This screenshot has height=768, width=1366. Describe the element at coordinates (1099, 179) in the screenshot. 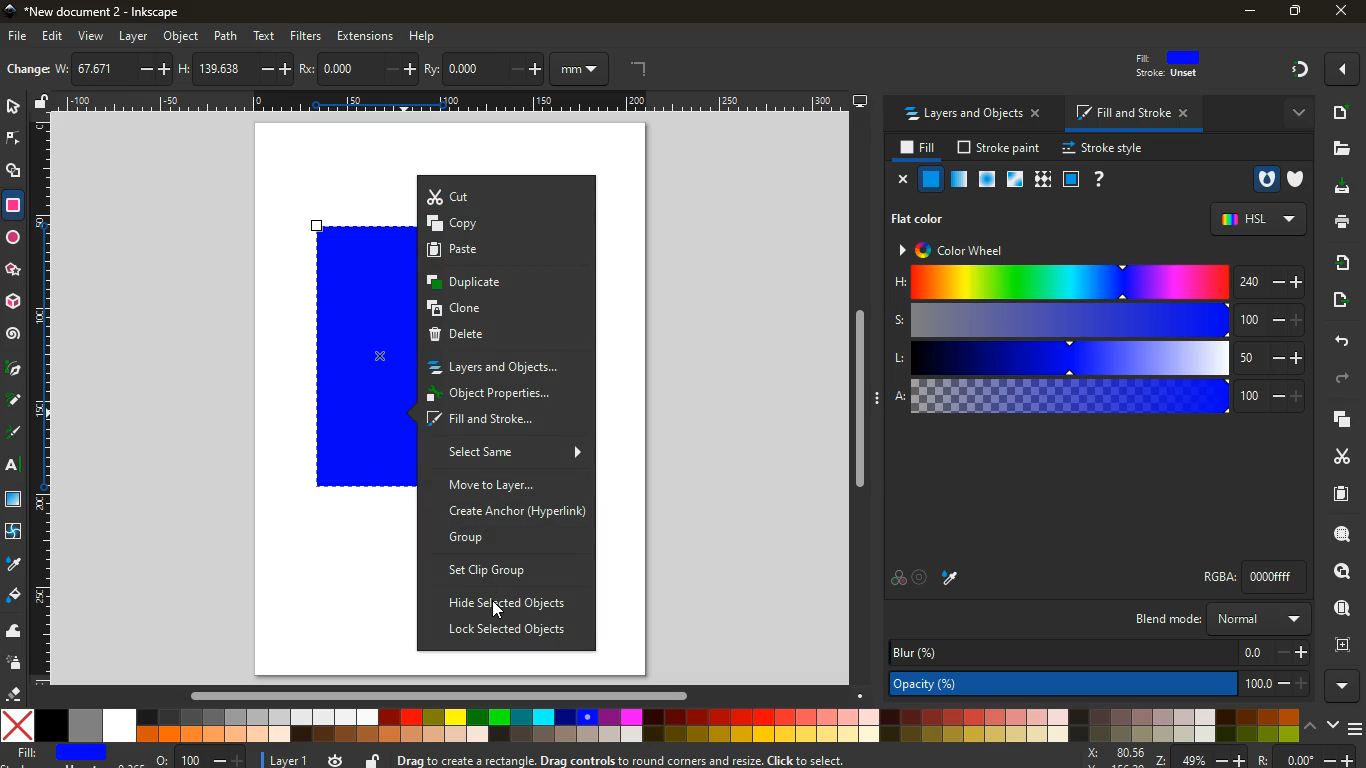

I see `help` at that location.